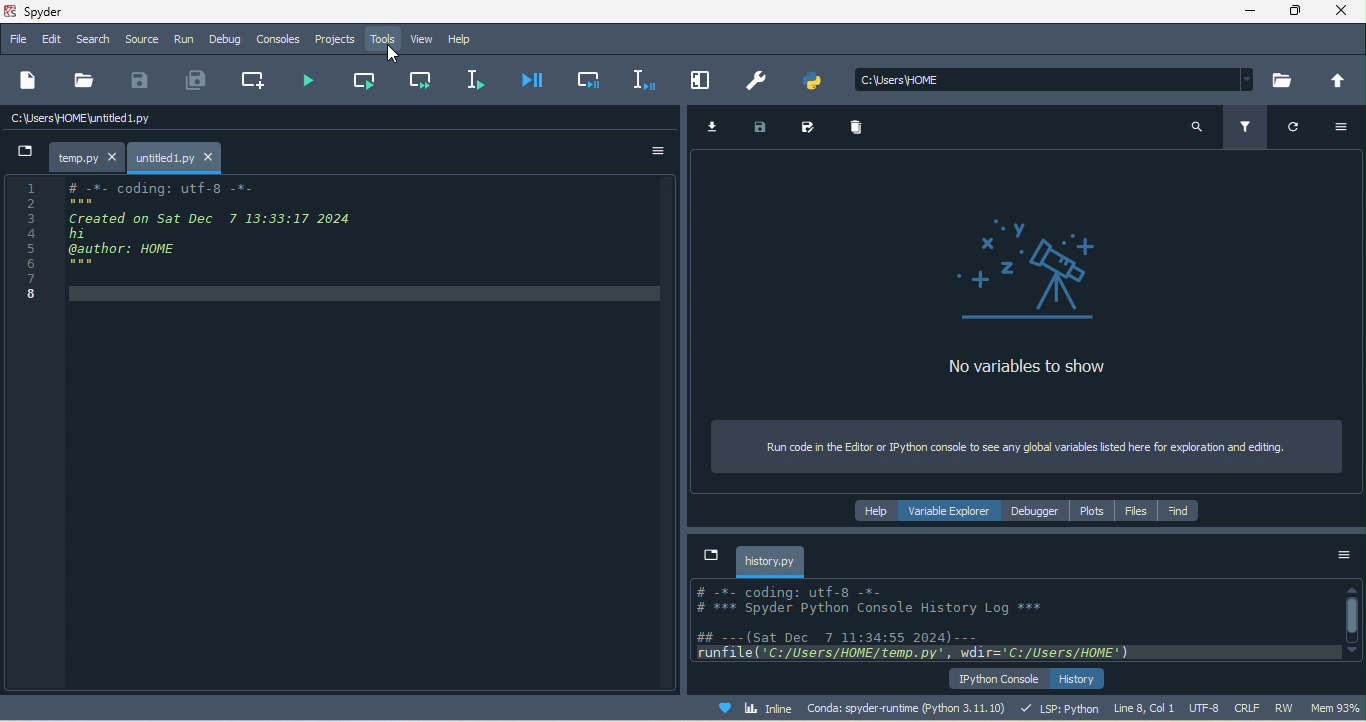 This screenshot has width=1366, height=722. What do you see at coordinates (181, 238) in the screenshot?
I see `code in editor pane` at bounding box center [181, 238].